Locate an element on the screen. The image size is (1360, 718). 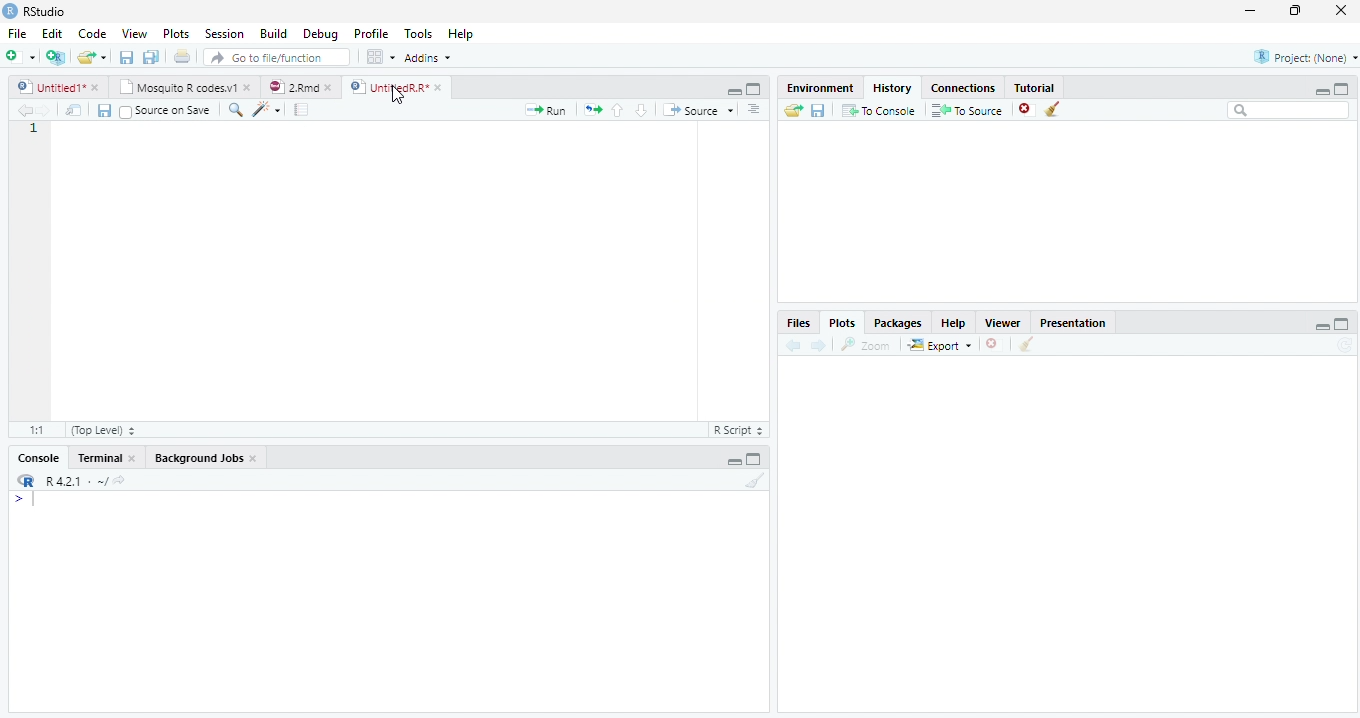
Files is located at coordinates (801, 323).